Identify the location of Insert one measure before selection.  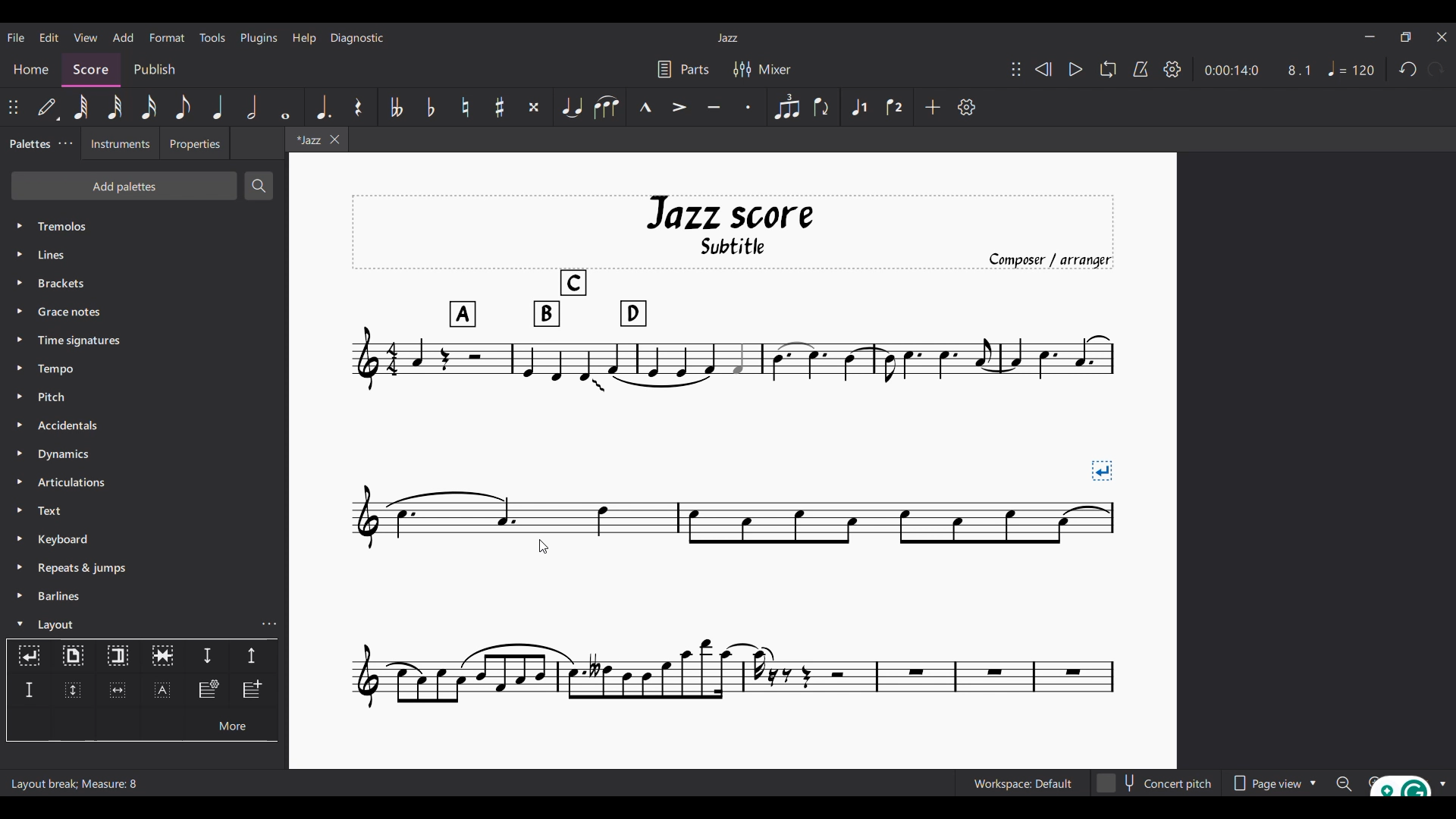
(254, 691).